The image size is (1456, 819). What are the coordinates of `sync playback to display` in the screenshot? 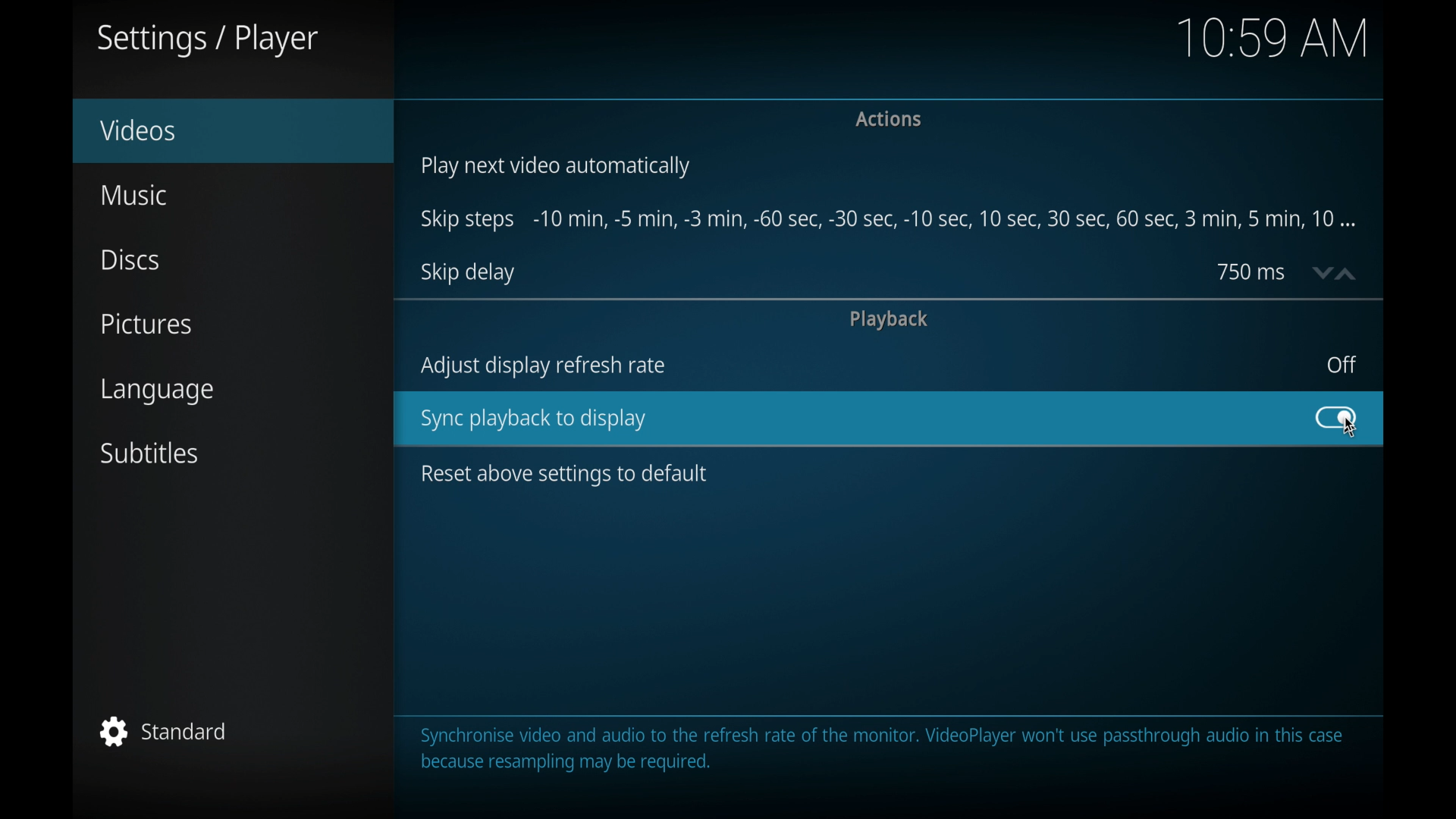 It's located at (534, 419).